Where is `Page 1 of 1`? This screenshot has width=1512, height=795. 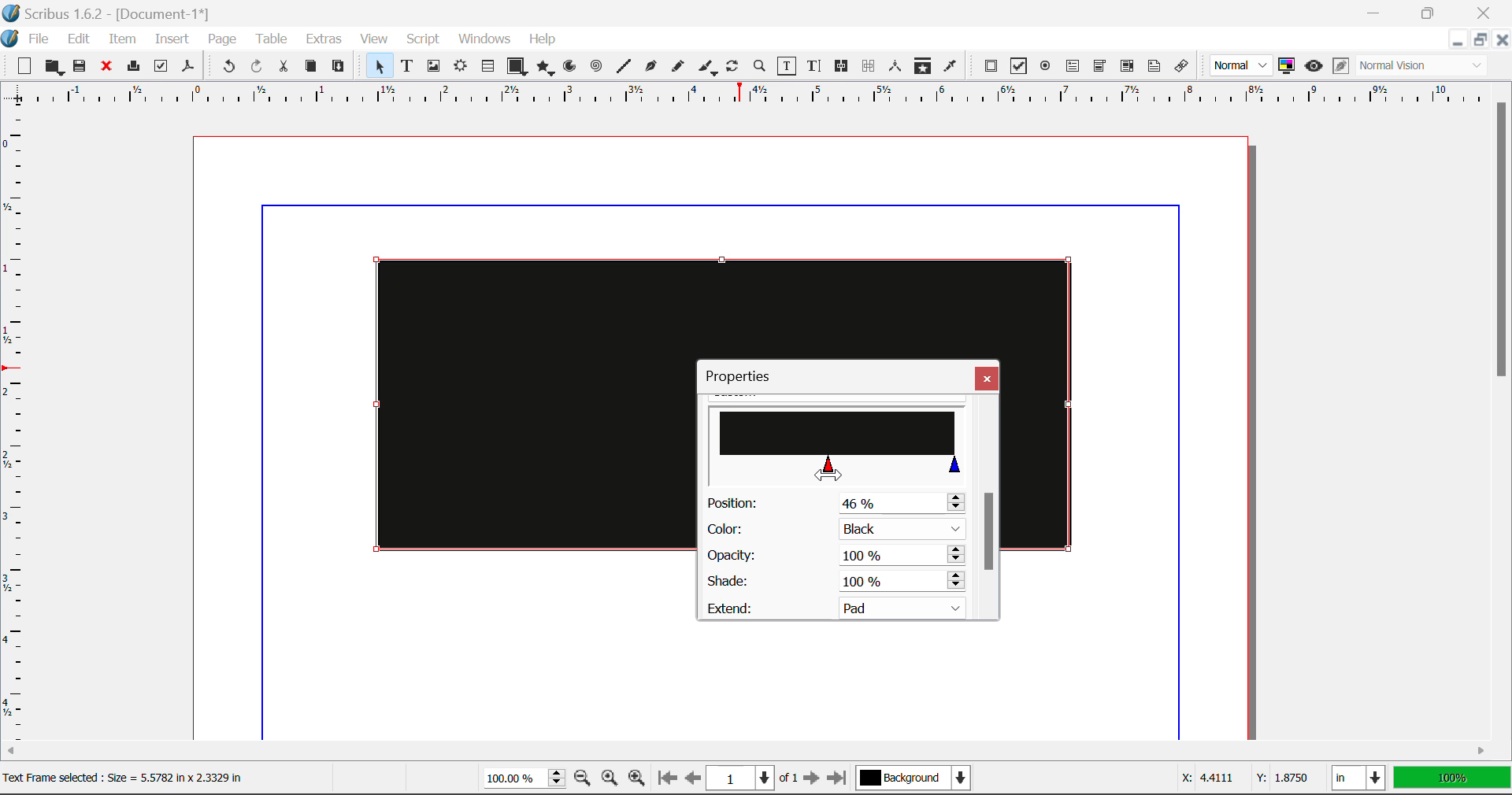
Page 1 of 1 is located at coordinates (752, 780).